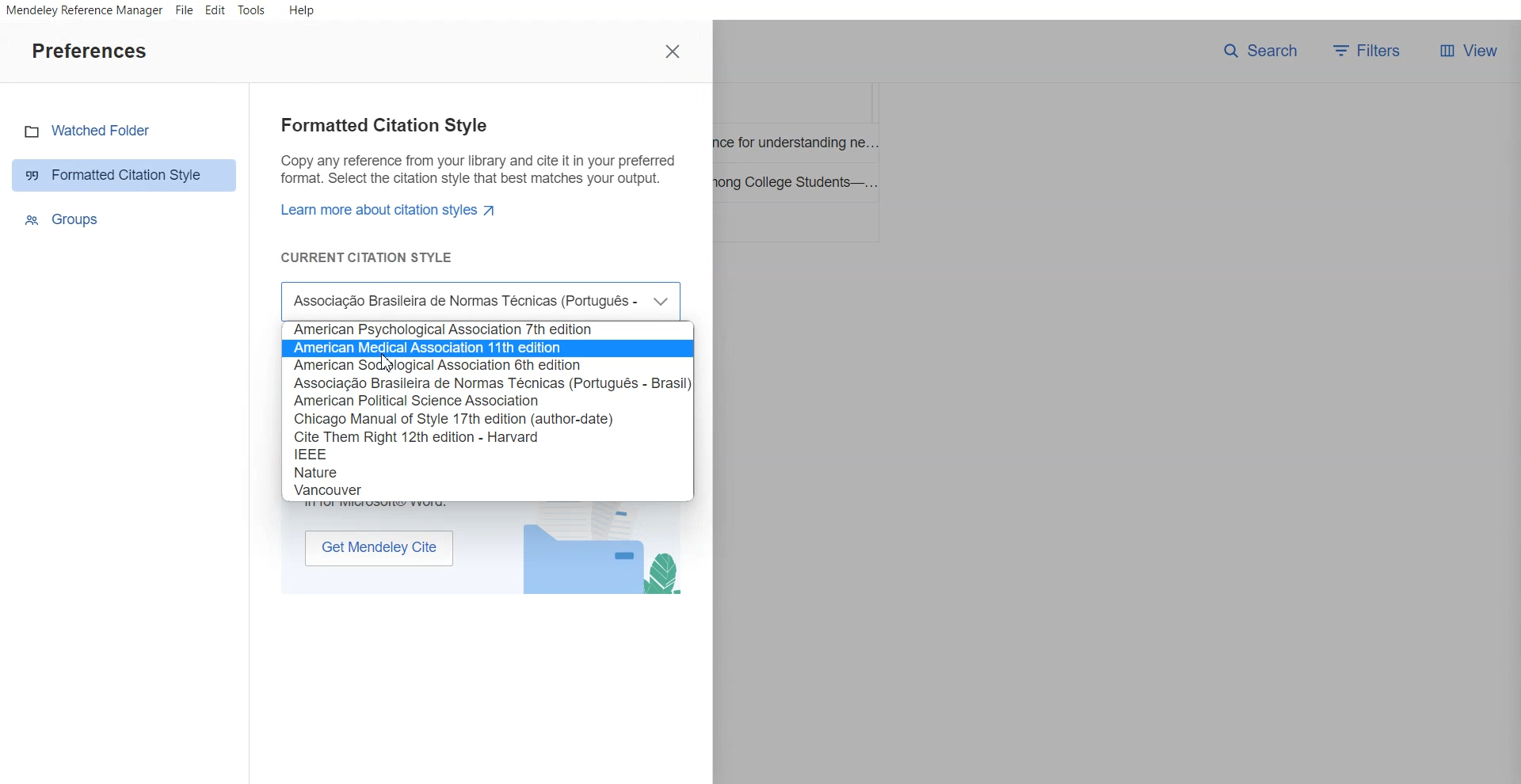 The height and width of the screenshot is (784, 1521). Describe the element at coordinates (456, 420) in the screenshot. I see `Citation` at that location.